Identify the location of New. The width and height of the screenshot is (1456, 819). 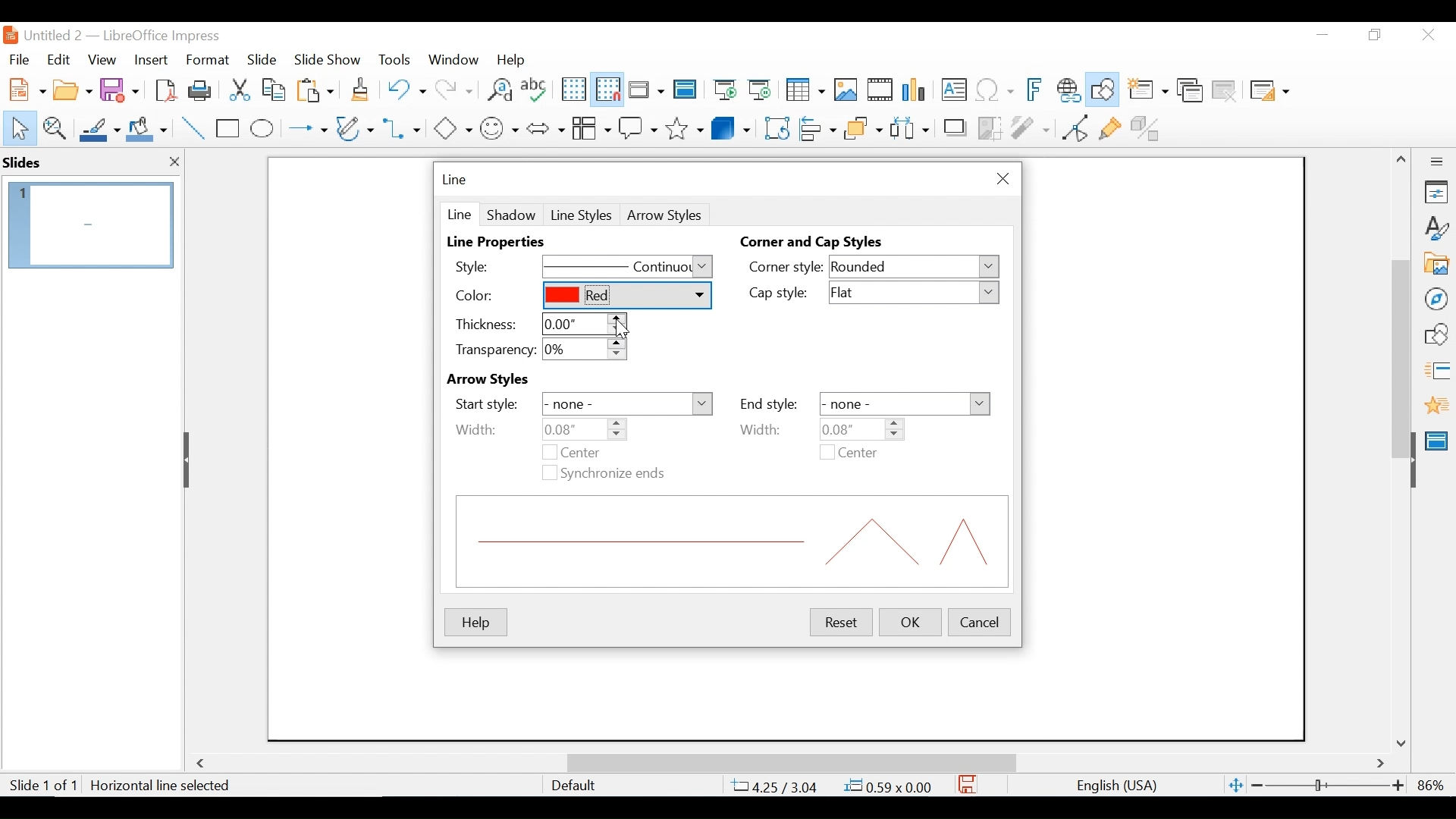
(24, 88).